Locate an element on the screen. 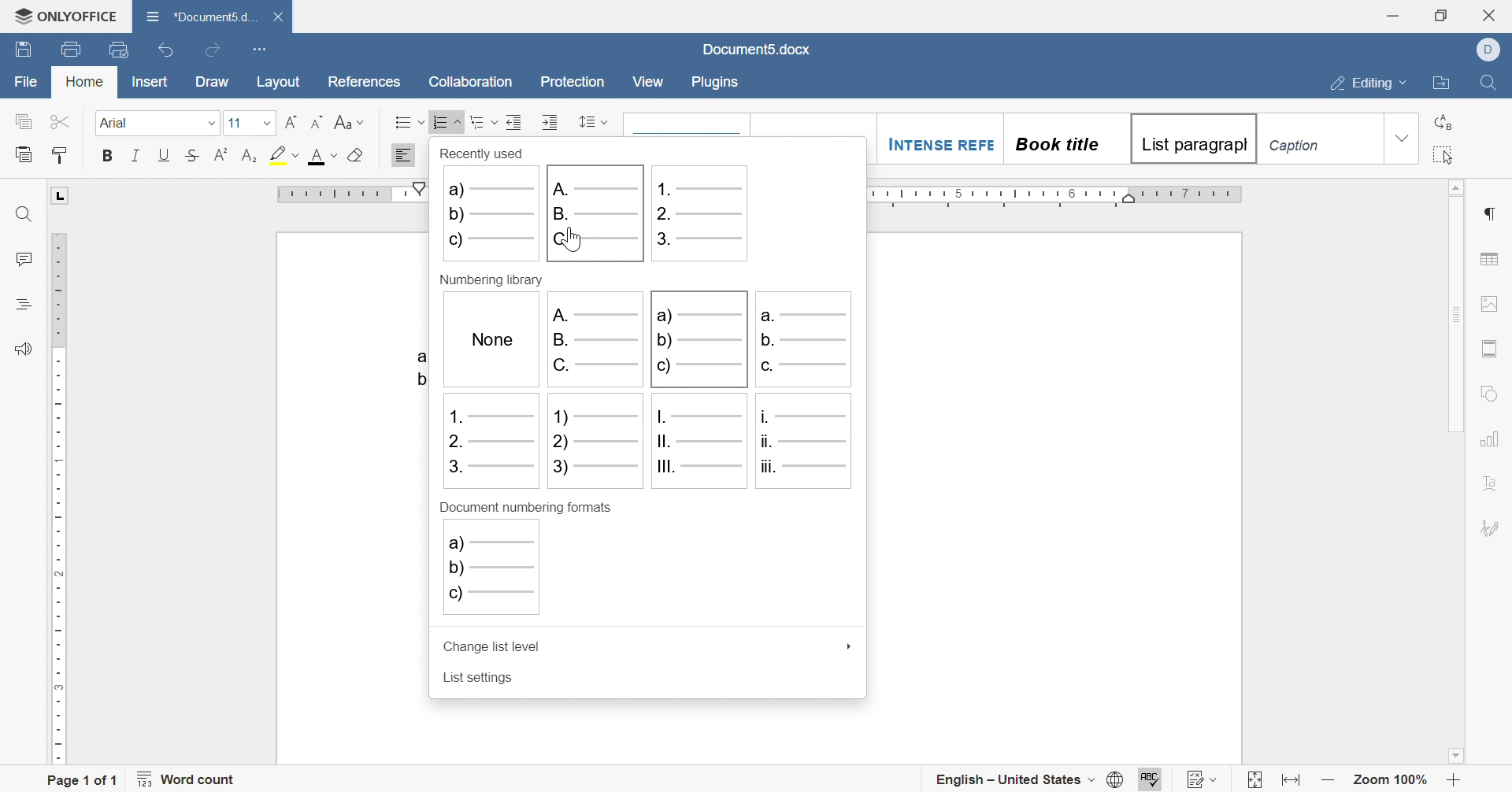 This screenshot has width=1512, height=792. Dell is located at coordinates (1488, 50).